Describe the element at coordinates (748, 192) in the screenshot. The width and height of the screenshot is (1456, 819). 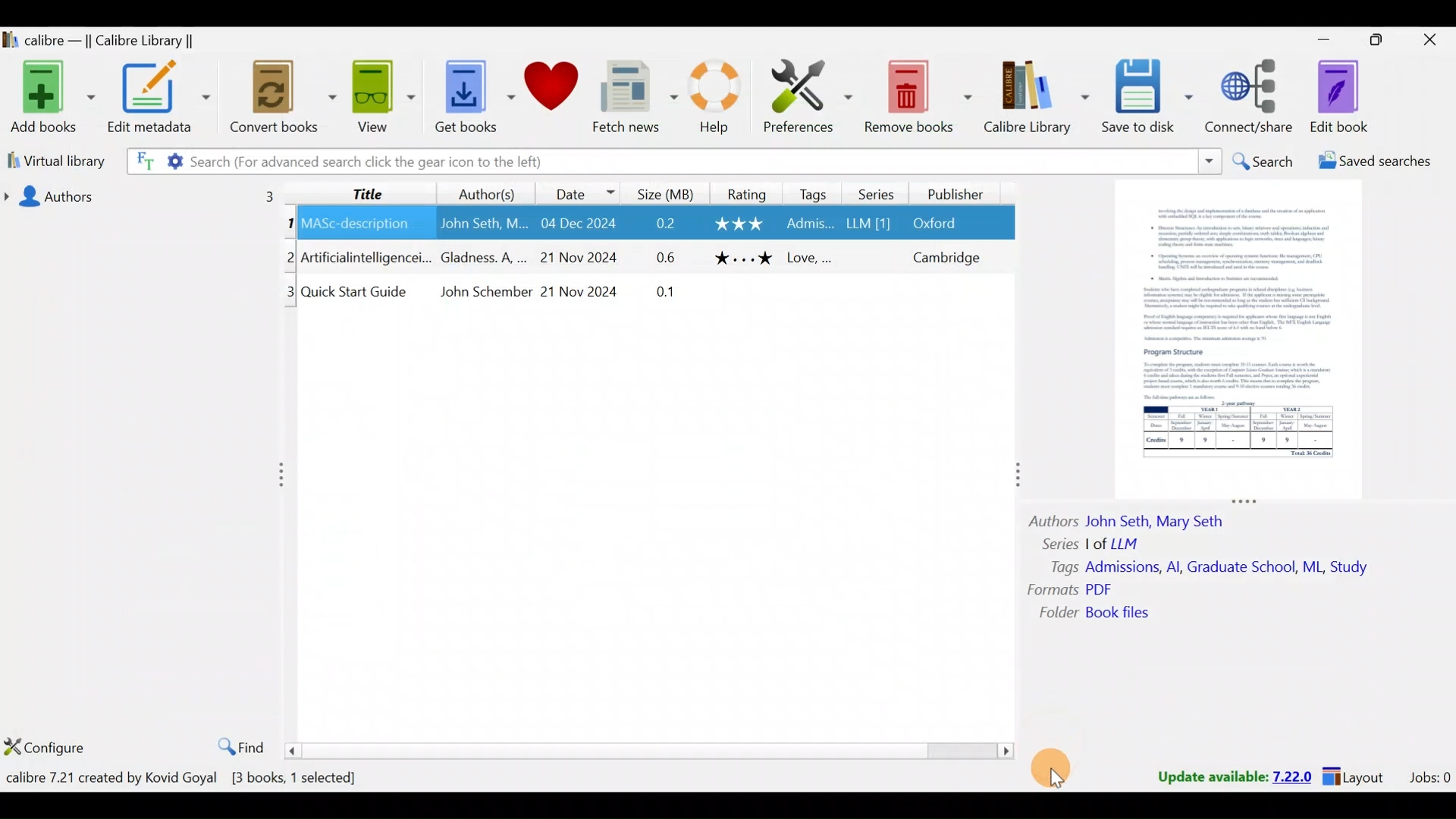
I see `Rating` at that location.